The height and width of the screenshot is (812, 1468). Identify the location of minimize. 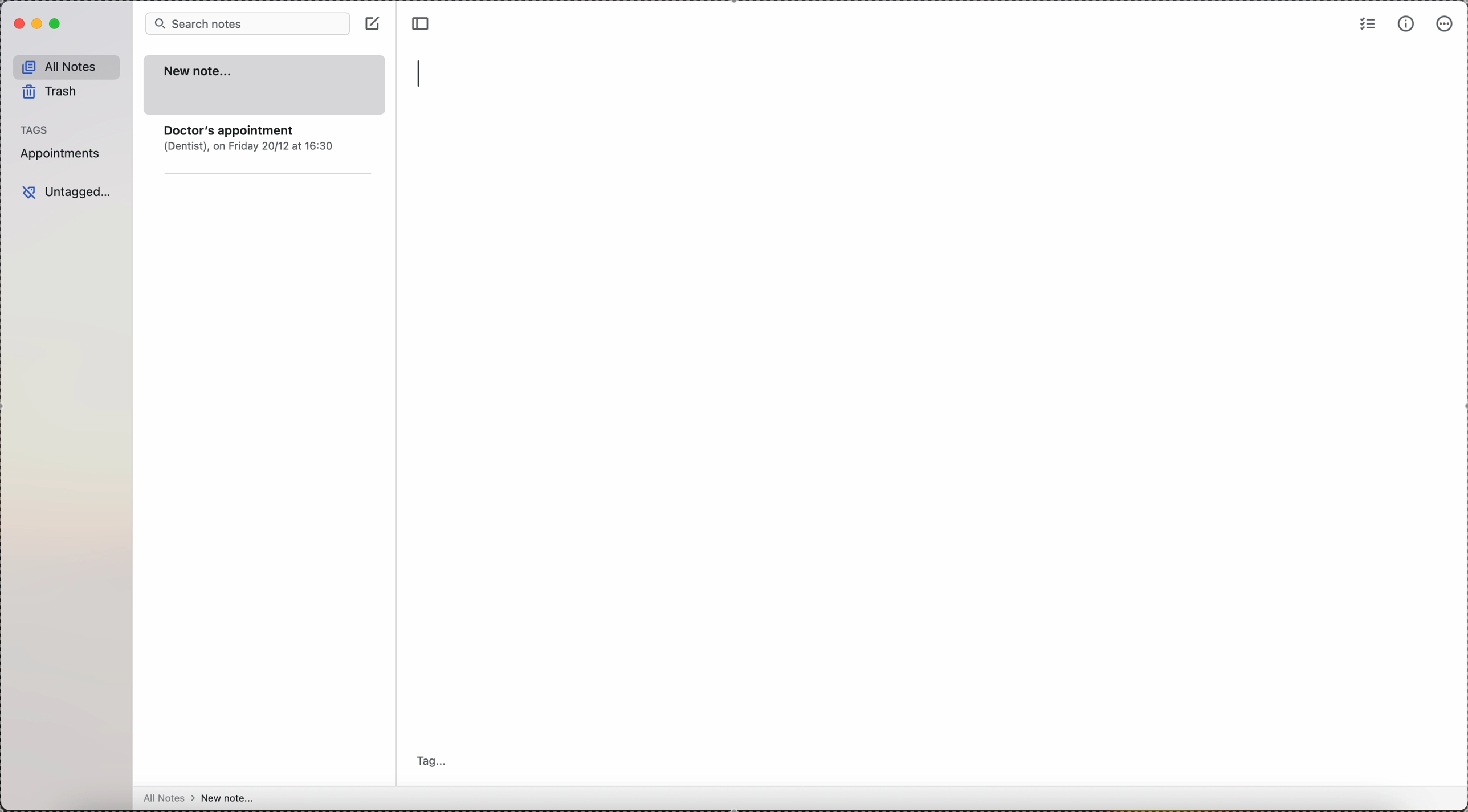
(38, 25).